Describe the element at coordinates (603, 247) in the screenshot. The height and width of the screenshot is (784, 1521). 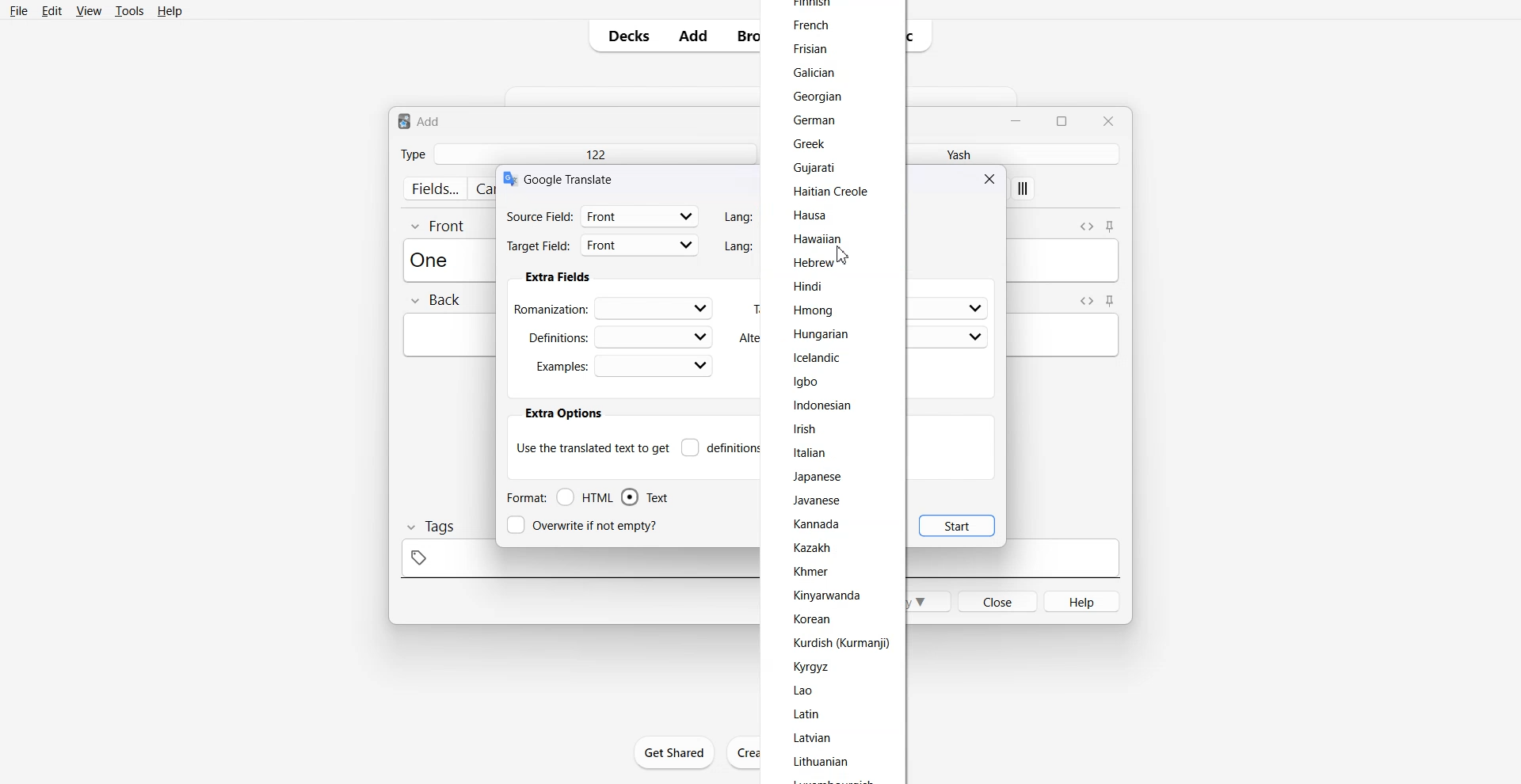
I see `Target Field` at that location.